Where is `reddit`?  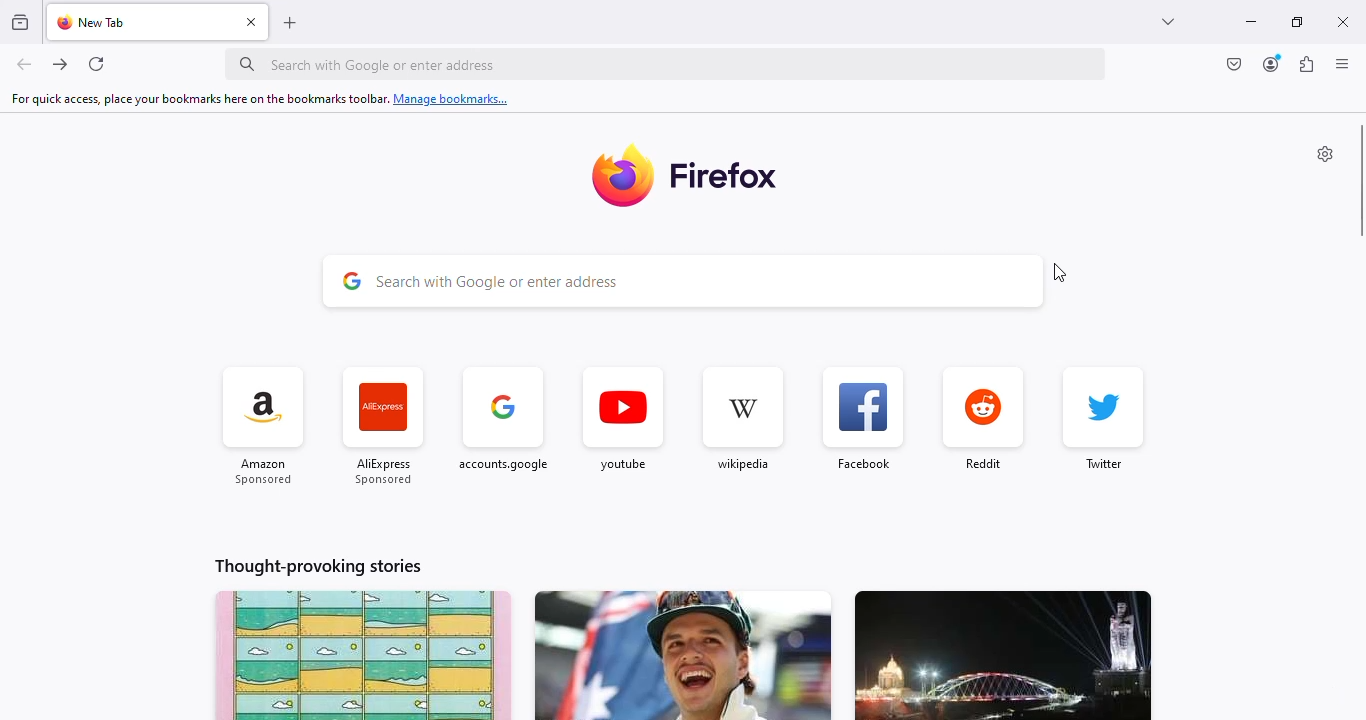 reddit is located at coordinates (983, 421).